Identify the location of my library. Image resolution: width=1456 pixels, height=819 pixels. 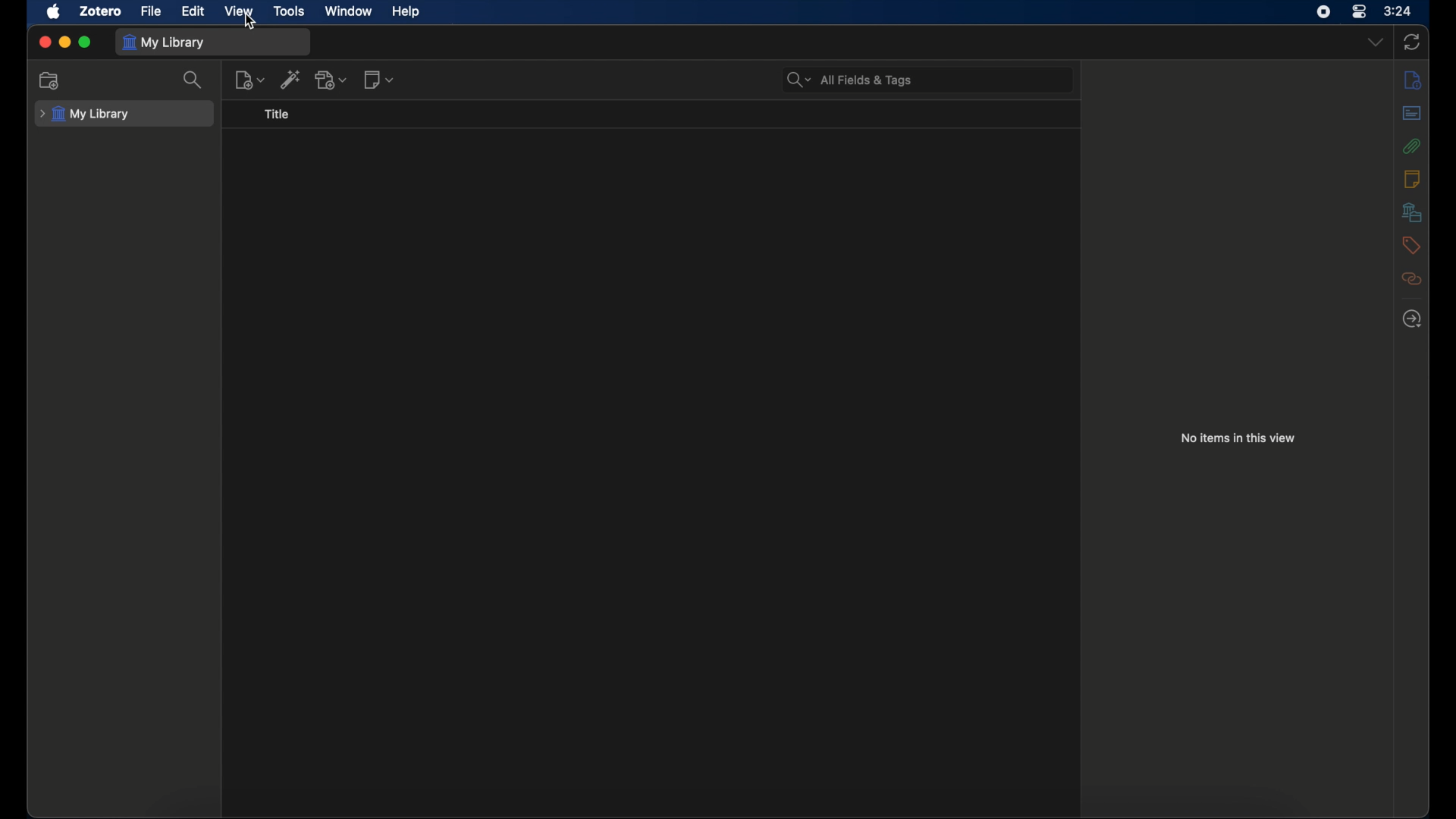
(85, 115).